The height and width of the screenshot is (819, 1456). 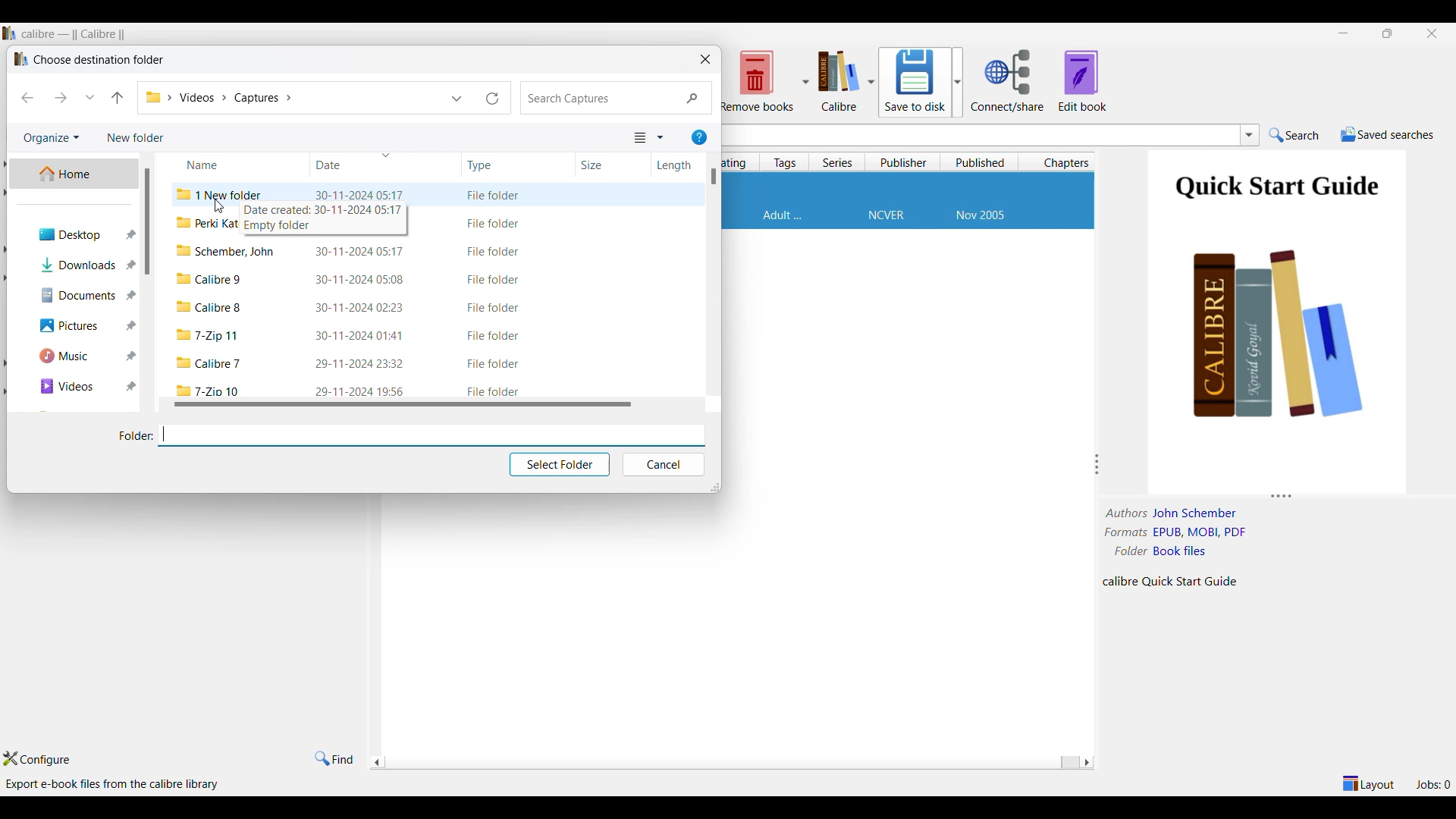 What do you see at coordinates (99, 59) in the screenshot?
I see `Window name` at bounding box center [99, 59].